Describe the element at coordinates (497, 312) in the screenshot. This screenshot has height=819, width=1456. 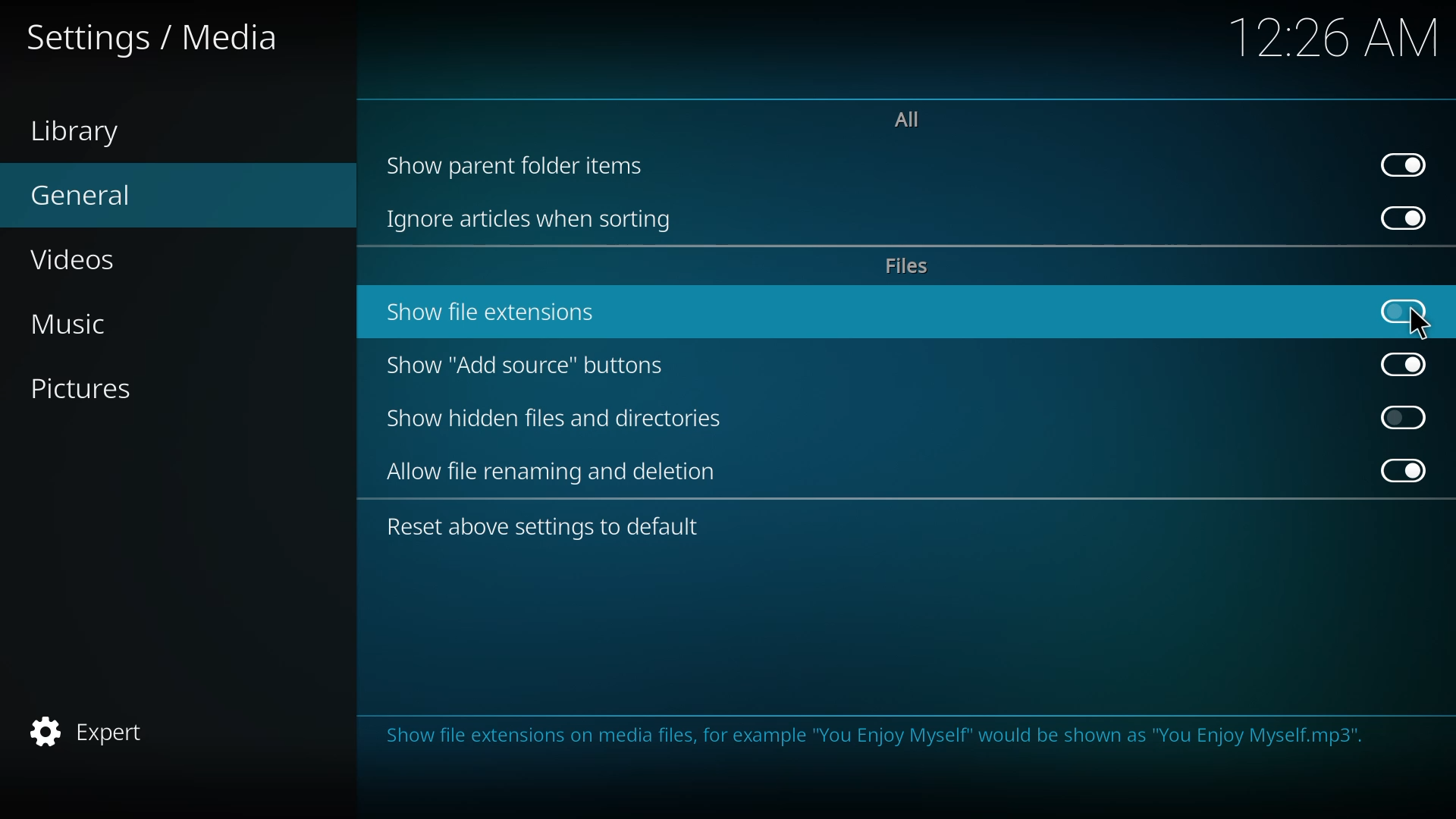
I see `show file extensions` at that location.